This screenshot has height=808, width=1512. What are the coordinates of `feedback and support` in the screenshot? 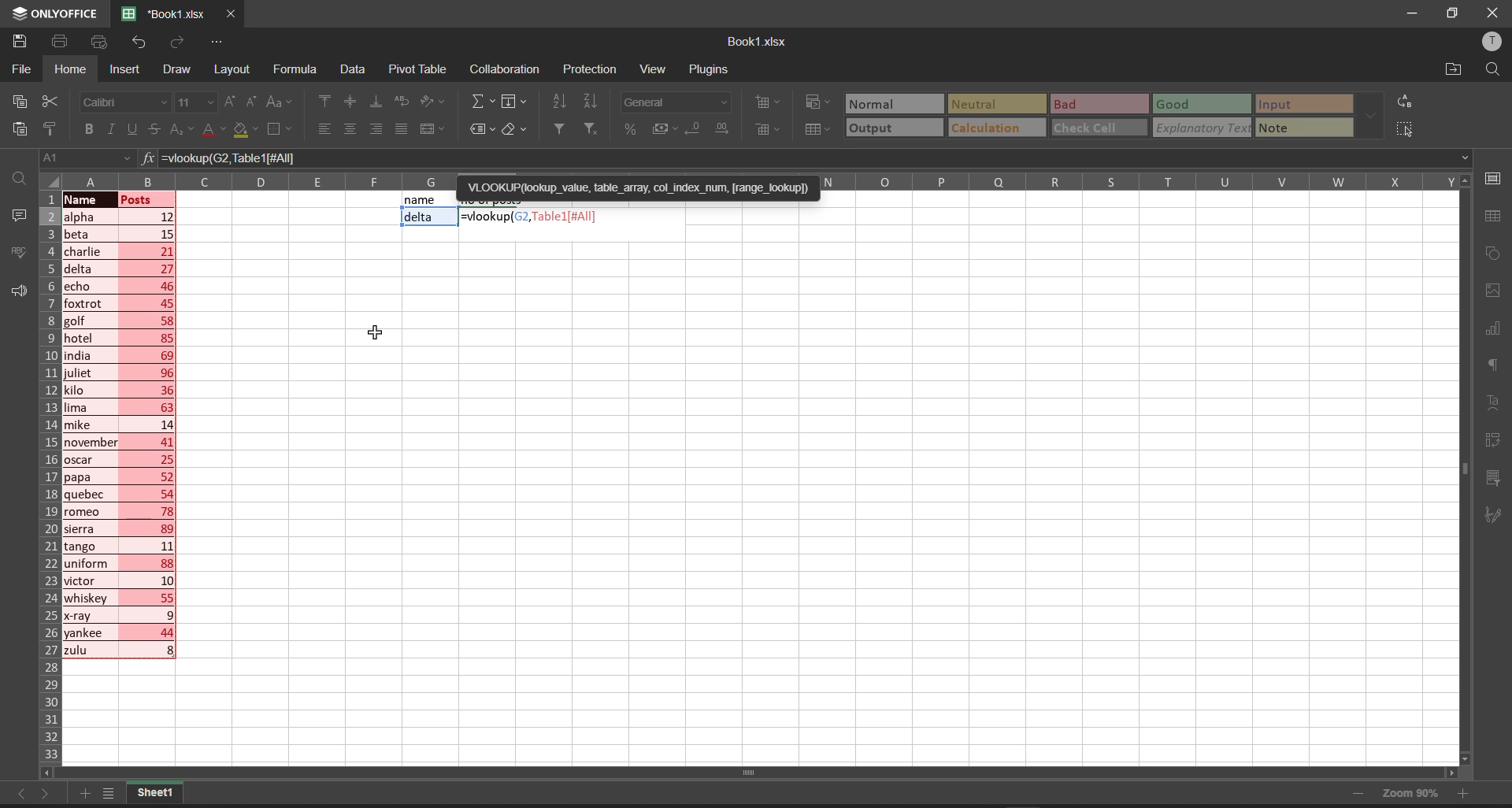 It's located at (14, 291).